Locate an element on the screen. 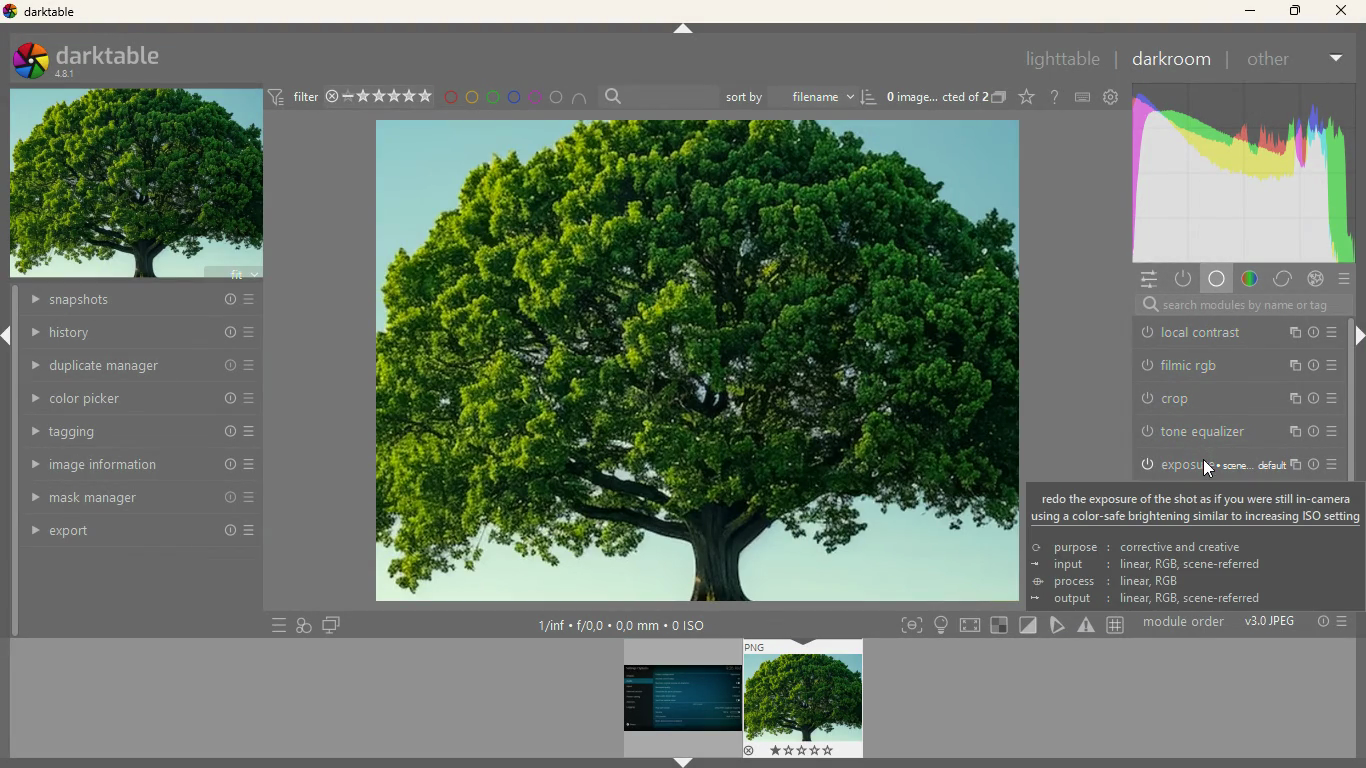  redo the exposure of the shot as if you were still in-camerausing a color-safe brightening similar to increasing ISO setting is located at coordinates (1192, 508).